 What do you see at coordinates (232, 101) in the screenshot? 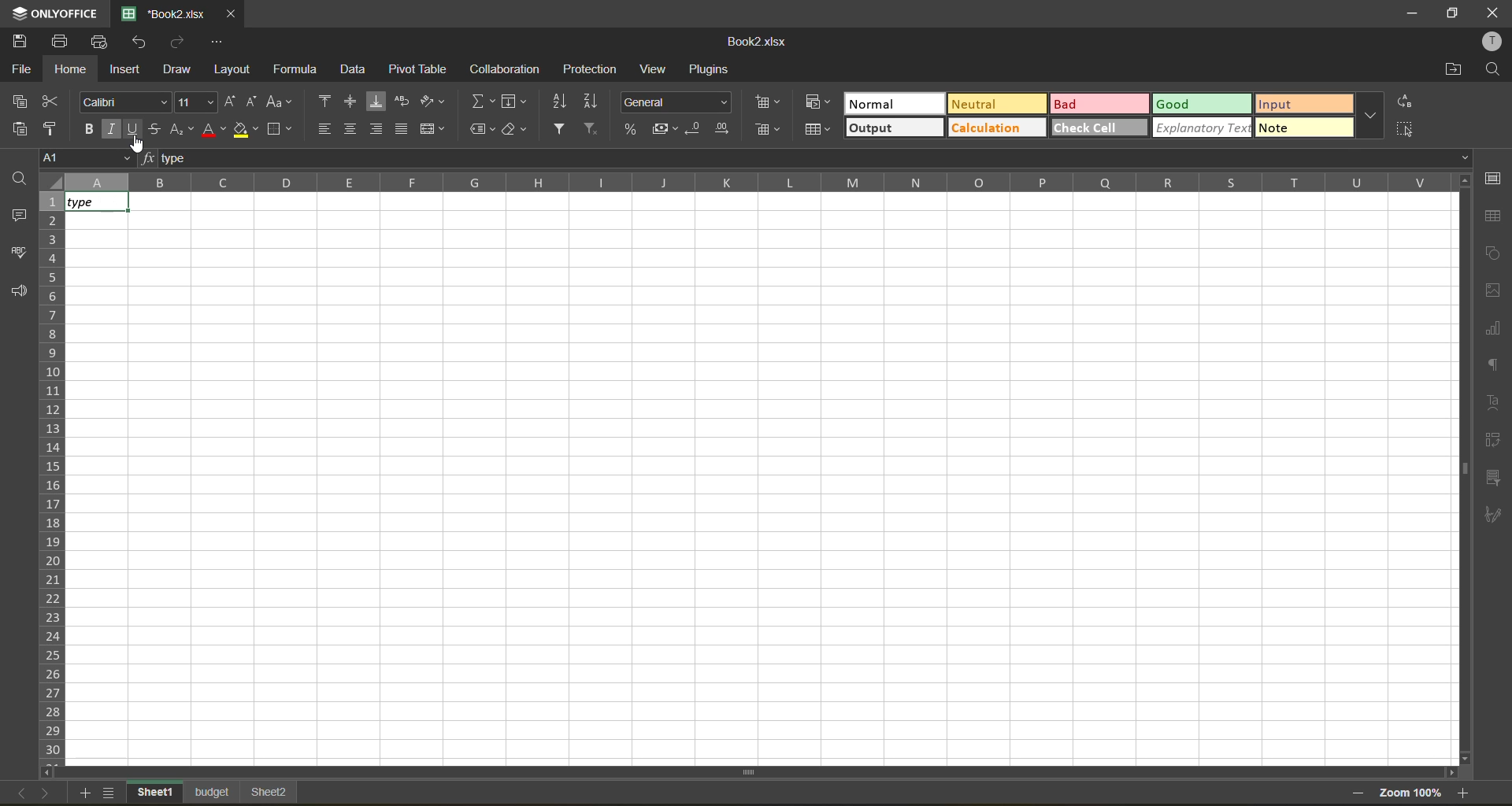
I see `increment size` at bounding box center [232, 101].